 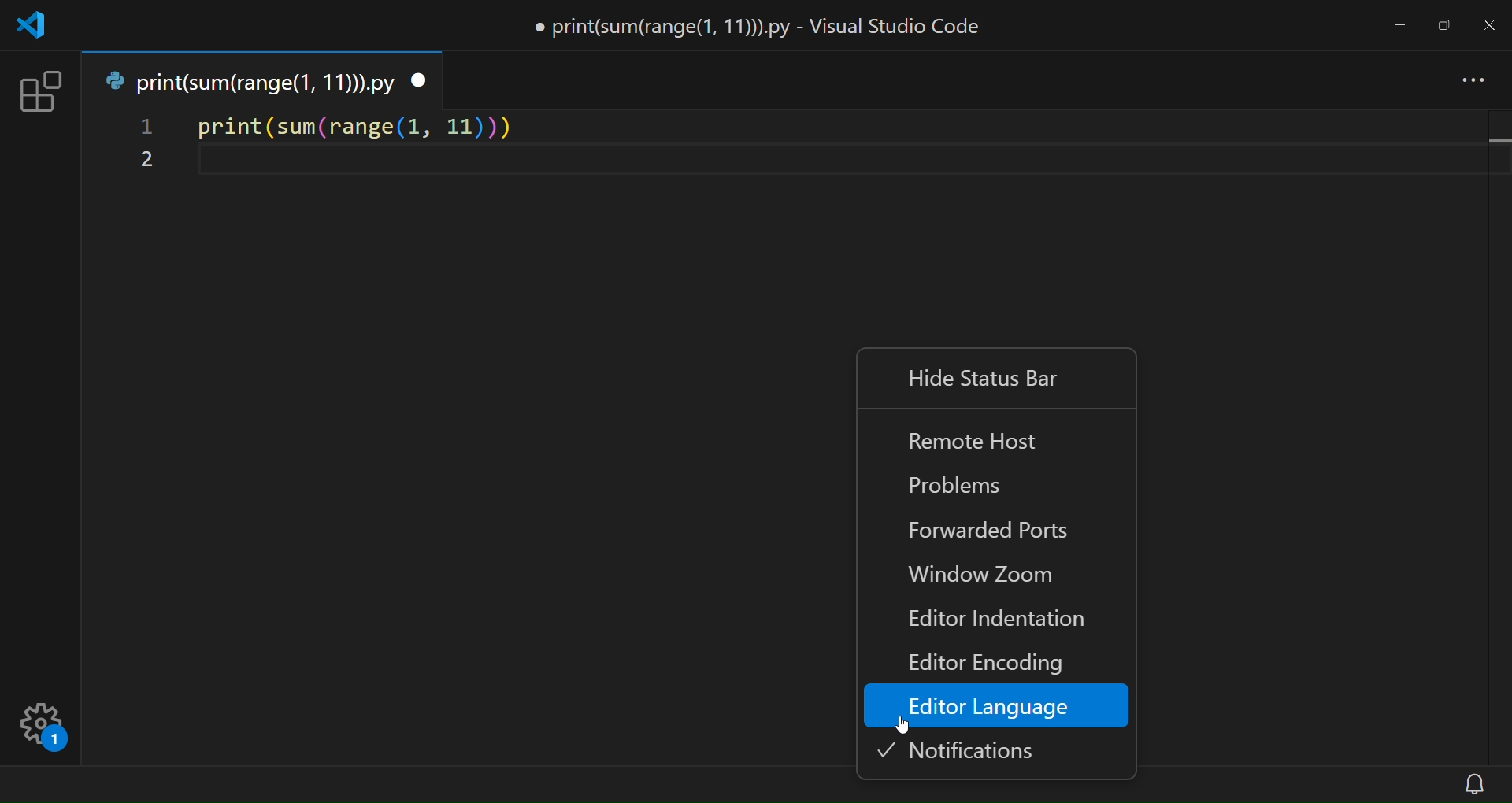 I want to click on print(sum(range(1, 11))), so click(x=358, y=128).